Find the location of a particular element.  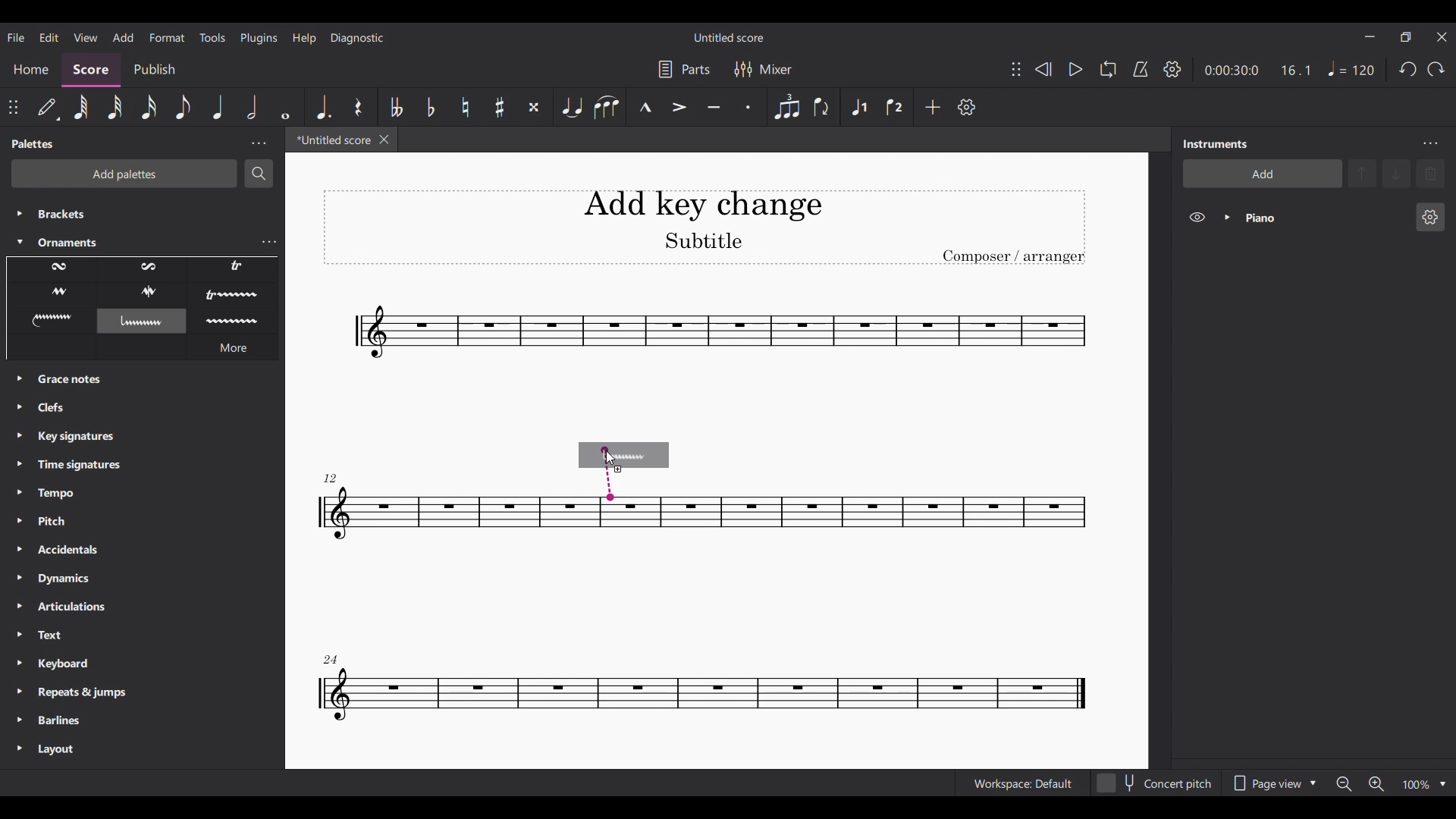

Play is located at coordinates (1075, 70).